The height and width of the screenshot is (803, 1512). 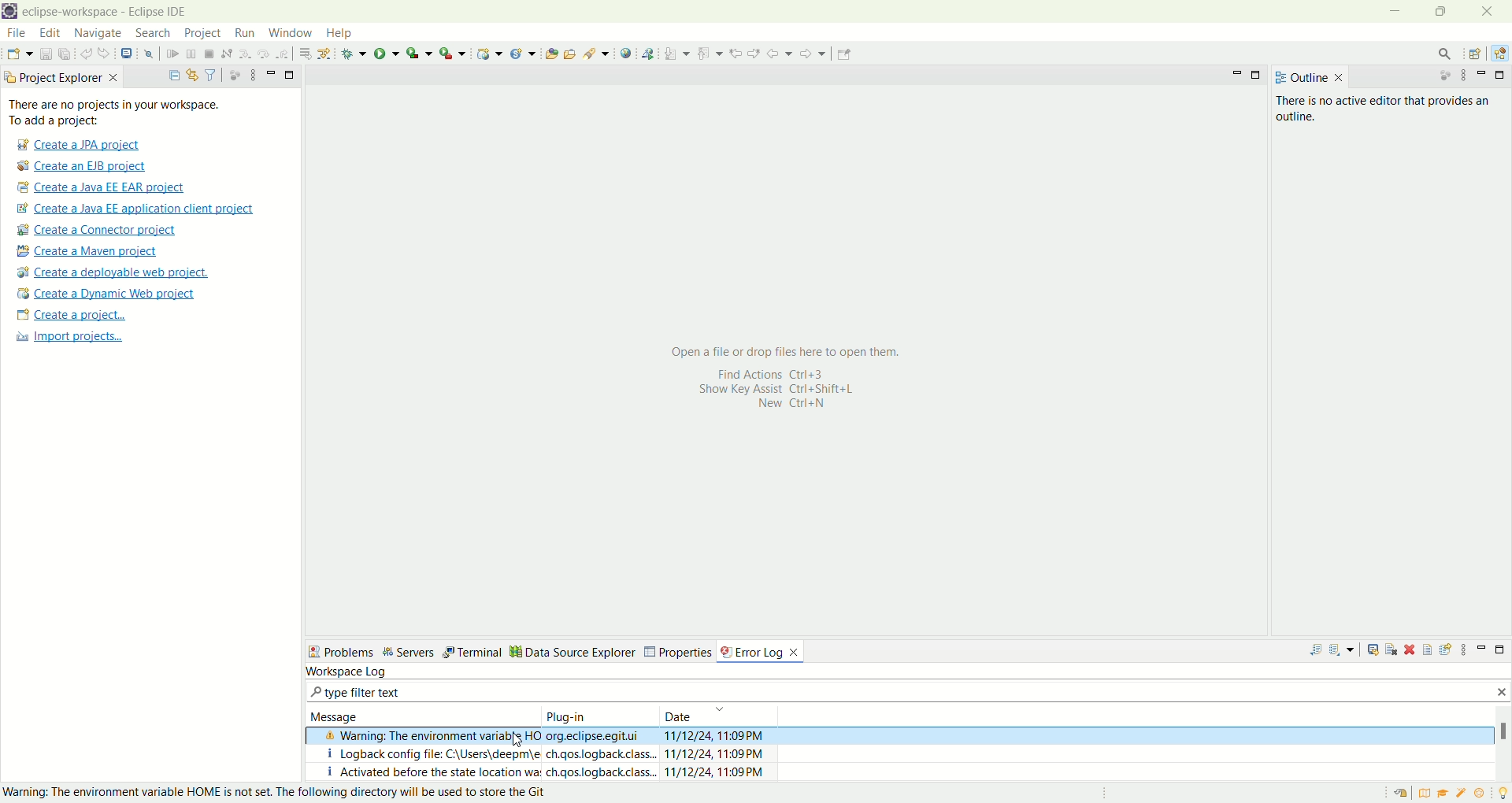 I want to click on redo, so click(x=104, y=53).